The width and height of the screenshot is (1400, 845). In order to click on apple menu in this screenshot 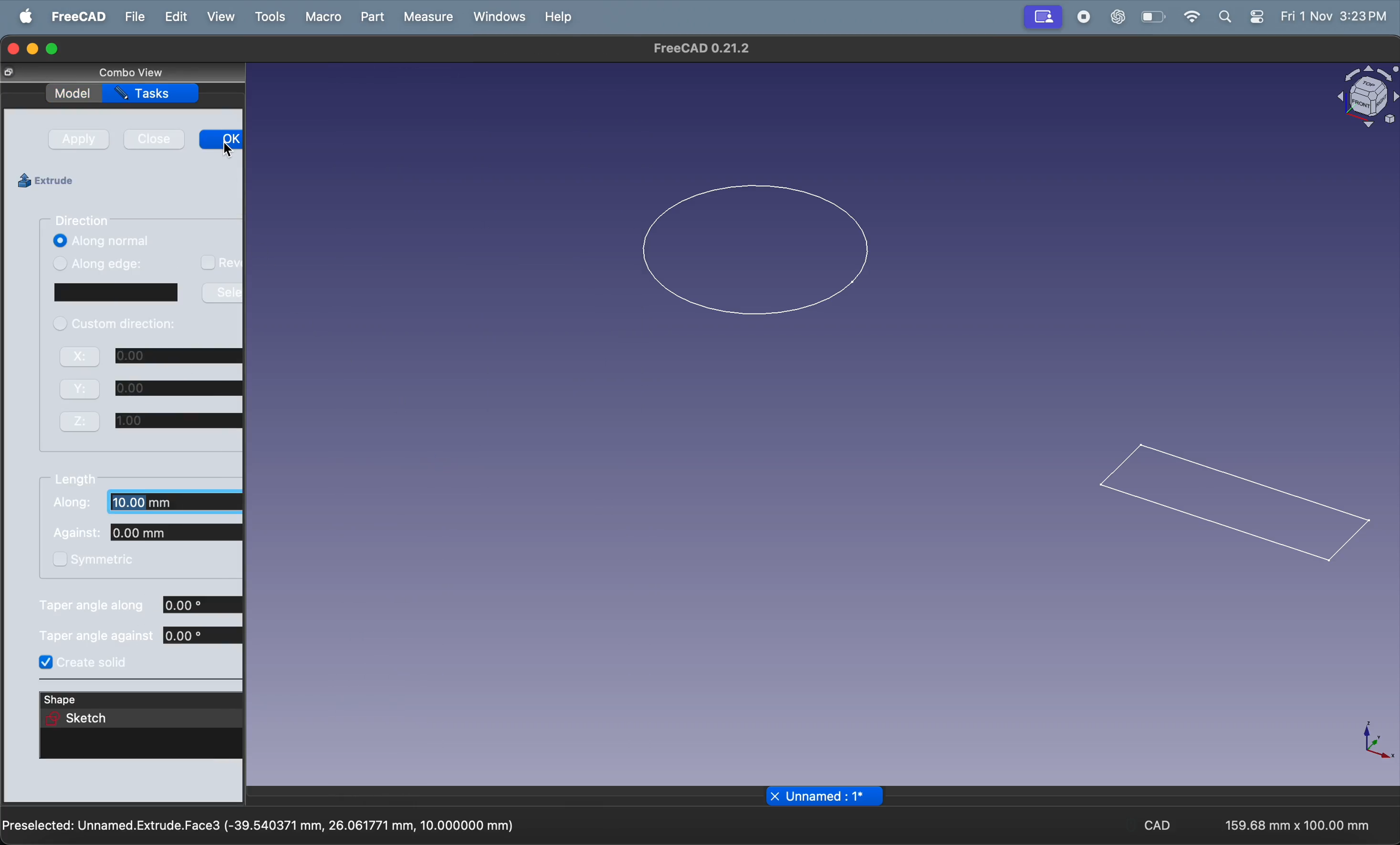, I will do `click(25, 16)`.